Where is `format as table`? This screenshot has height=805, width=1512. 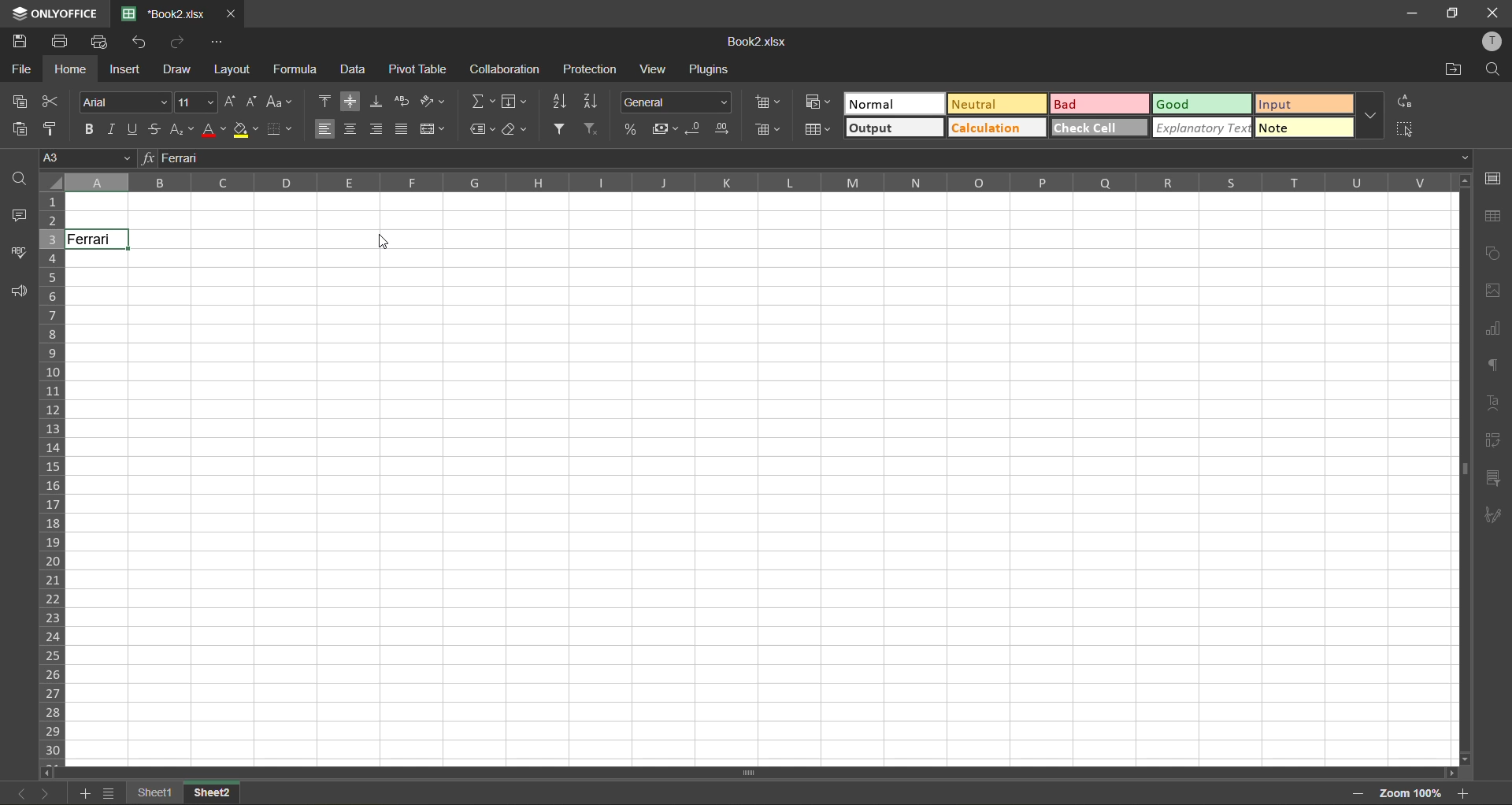
format as table is located at coordinates (817, 131).